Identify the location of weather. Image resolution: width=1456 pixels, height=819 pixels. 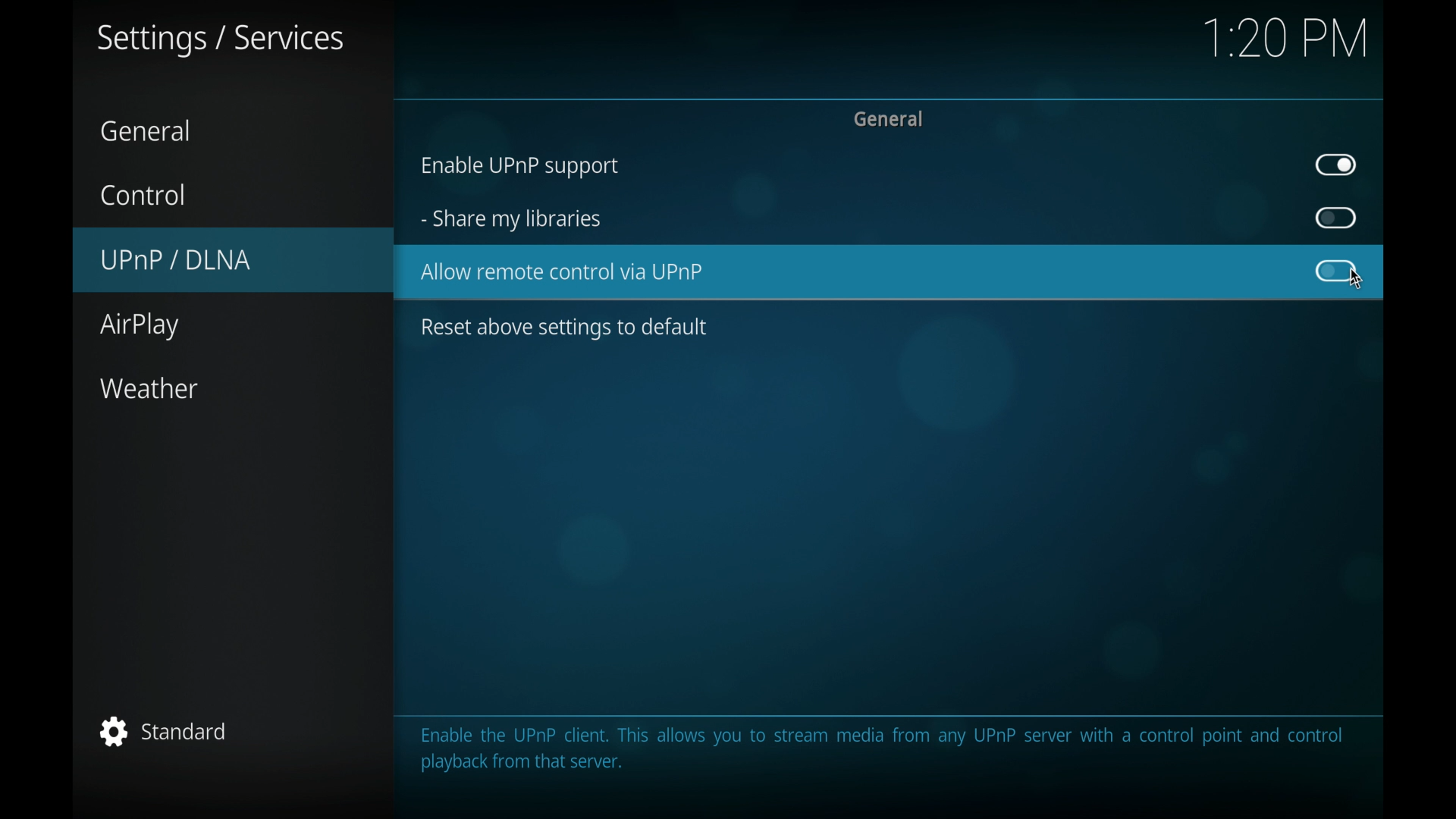
(149, 389).